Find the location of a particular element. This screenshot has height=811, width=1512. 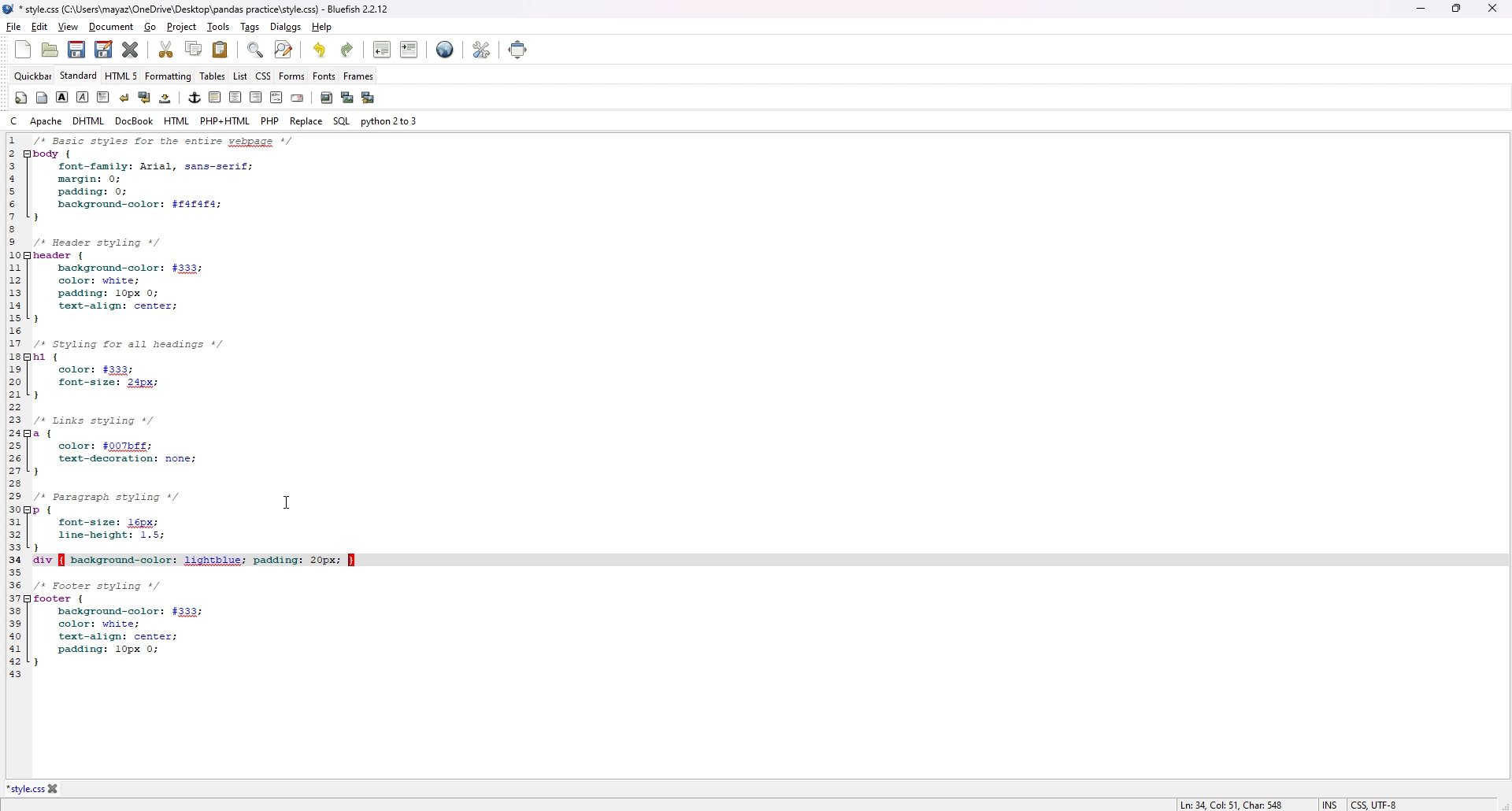

unindent is located at coordinates (383, 50).